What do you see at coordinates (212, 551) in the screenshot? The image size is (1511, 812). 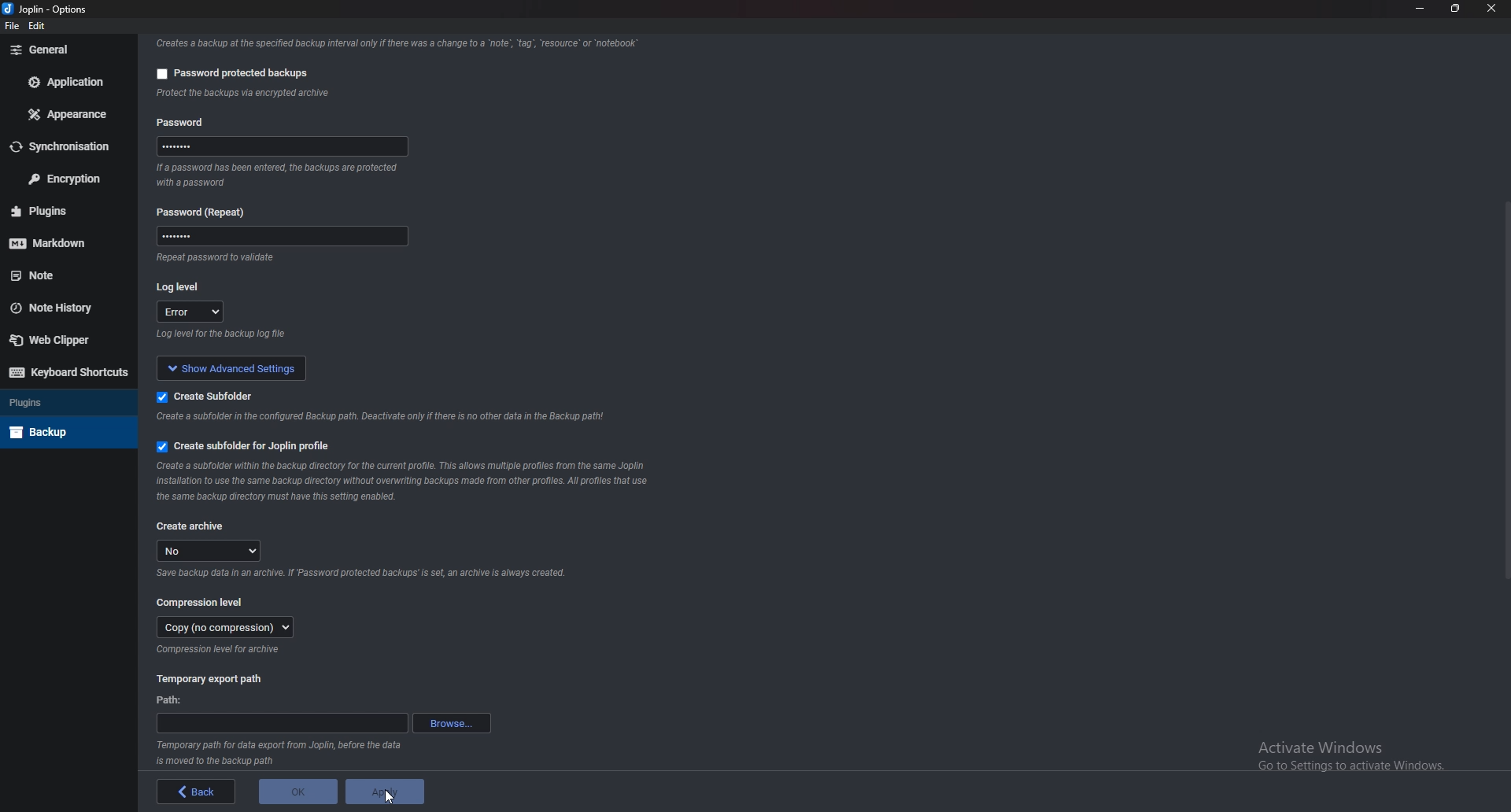 I see `no` at bounding box center [212, 551].